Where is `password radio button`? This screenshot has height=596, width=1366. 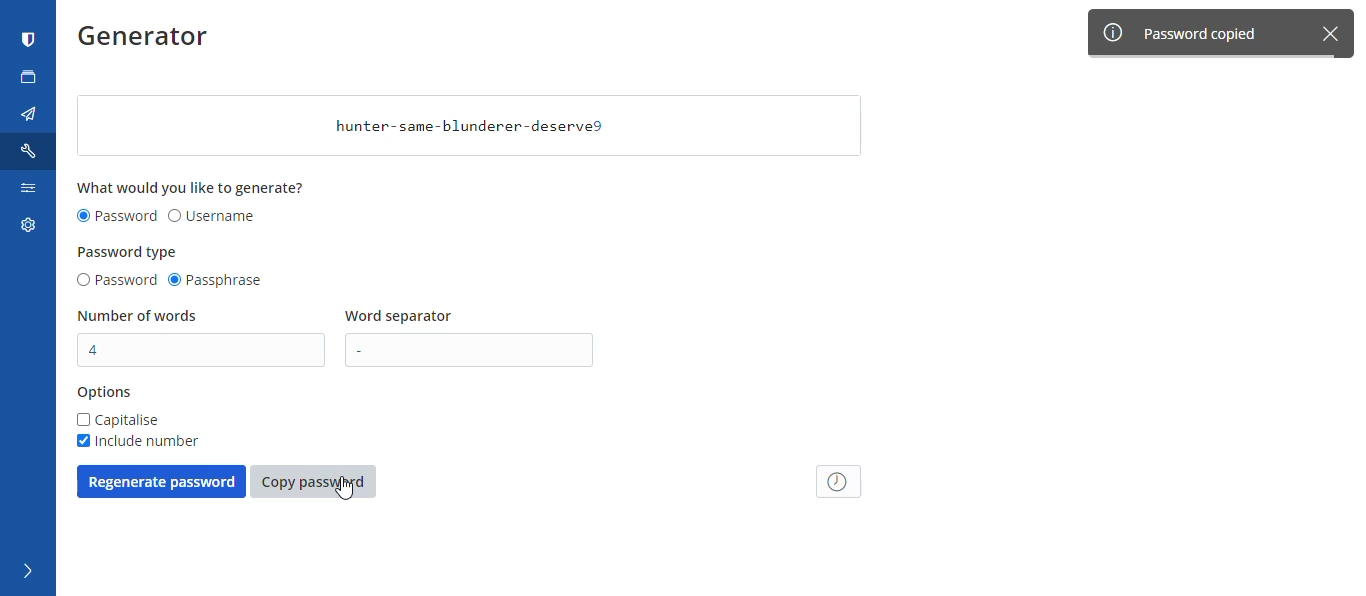
password radio button is located at coordinates (117, 217).